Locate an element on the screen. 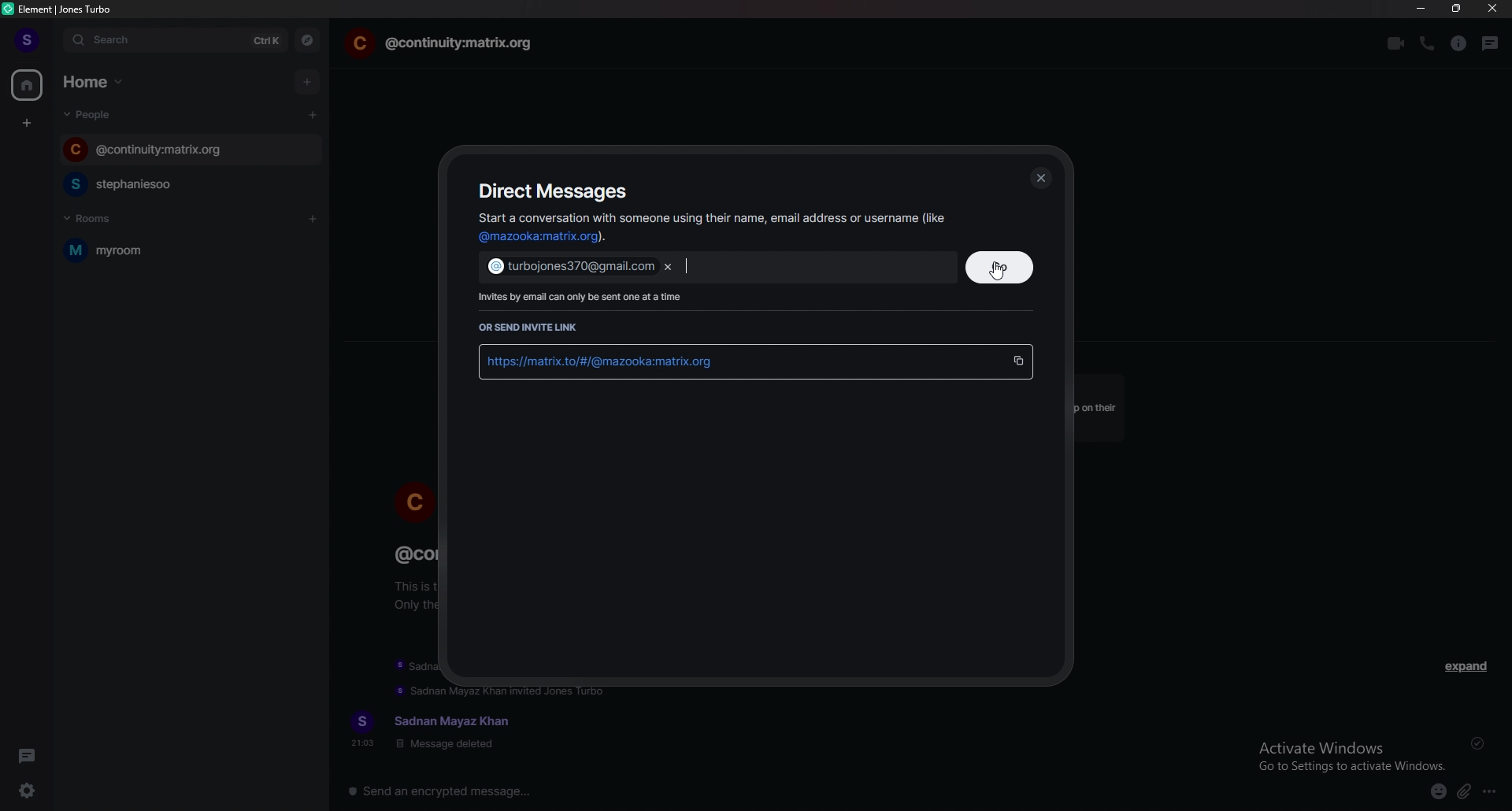  or send invite link is located at coordinates (528, 328).